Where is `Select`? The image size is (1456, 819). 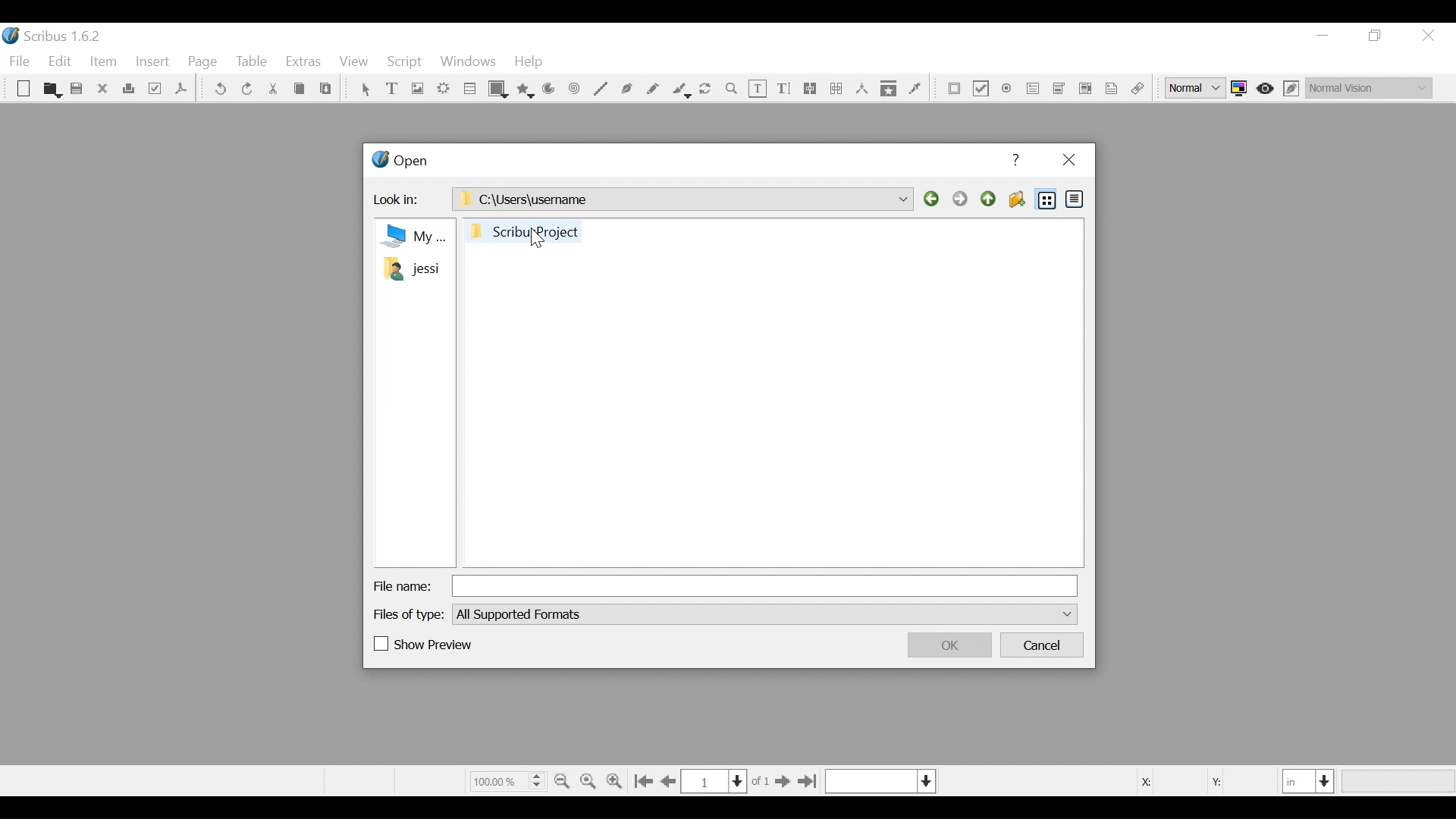 Select is located at coordinates (365, 90).